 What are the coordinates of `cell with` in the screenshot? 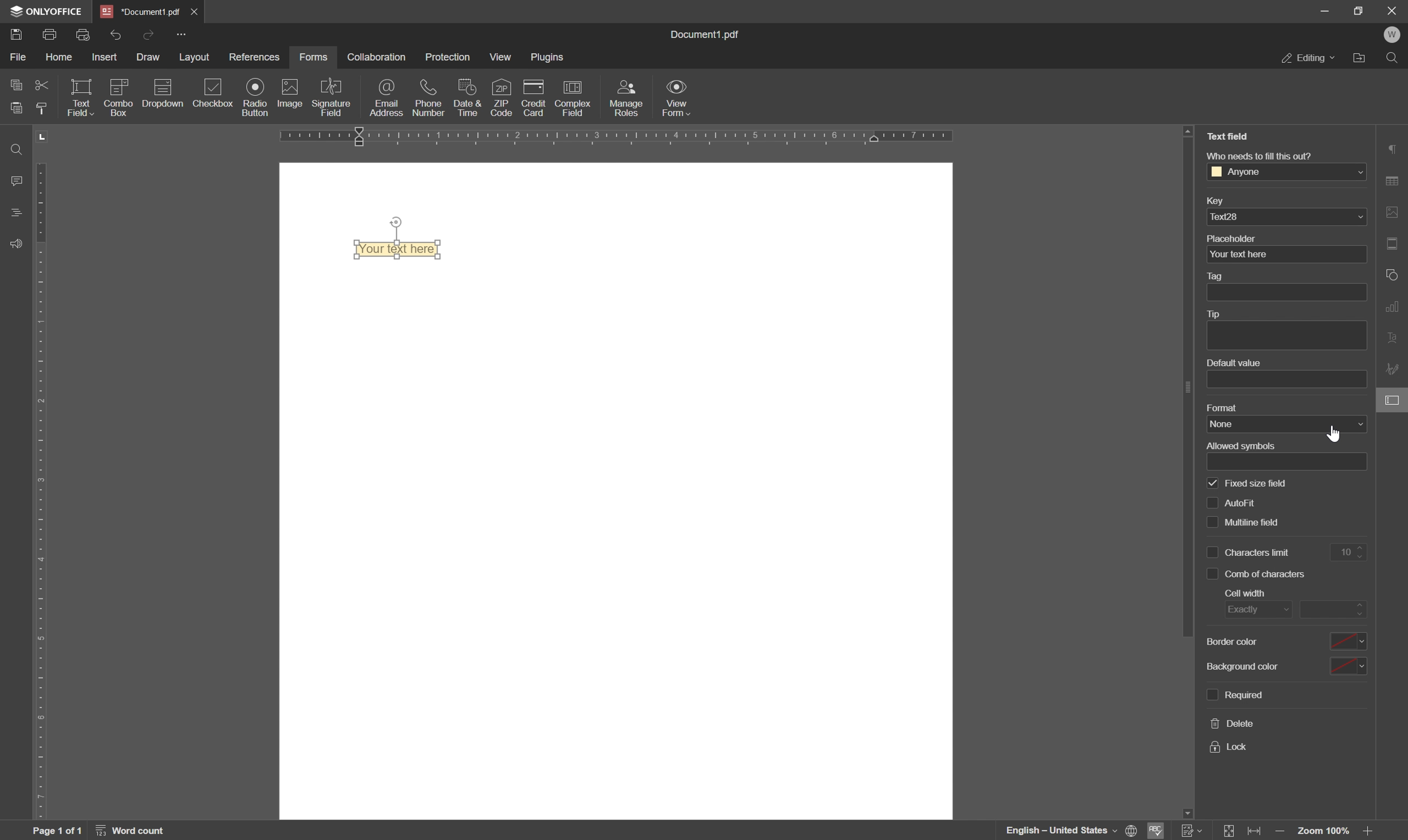 It's located at (1246, 593).